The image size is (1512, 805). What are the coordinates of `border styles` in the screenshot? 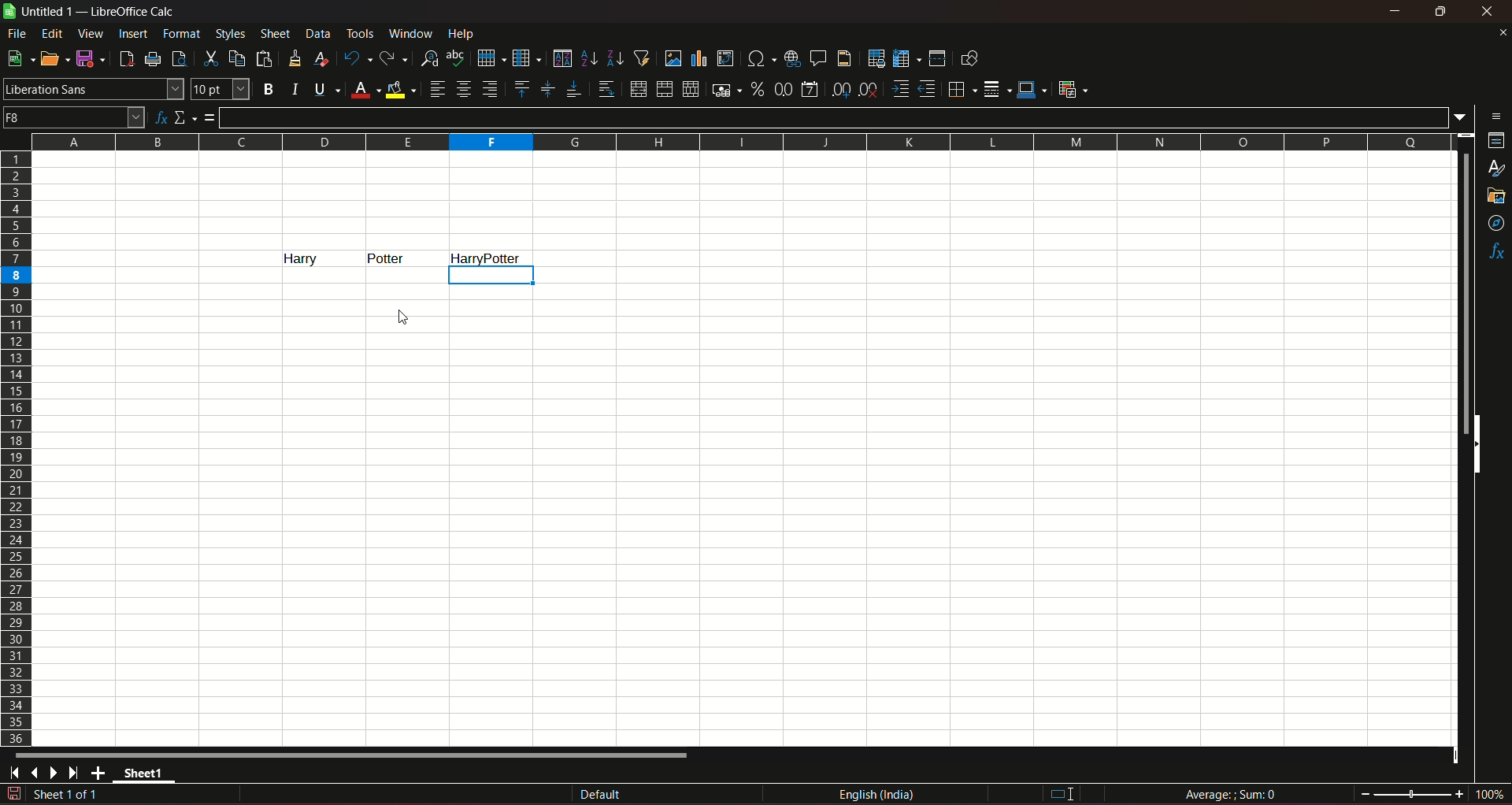 It's located at (995, 90).